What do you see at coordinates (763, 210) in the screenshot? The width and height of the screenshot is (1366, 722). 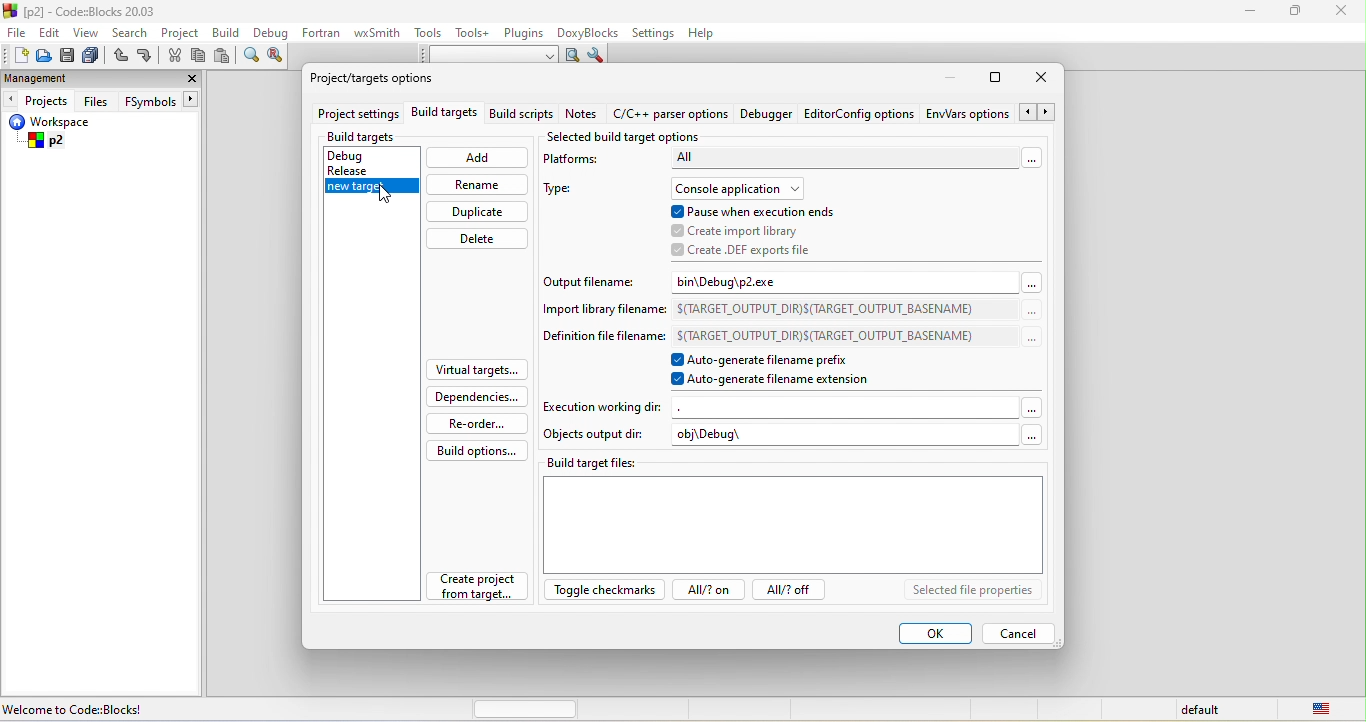 I see `pause when execution ends` at bounding box center [763, 210].